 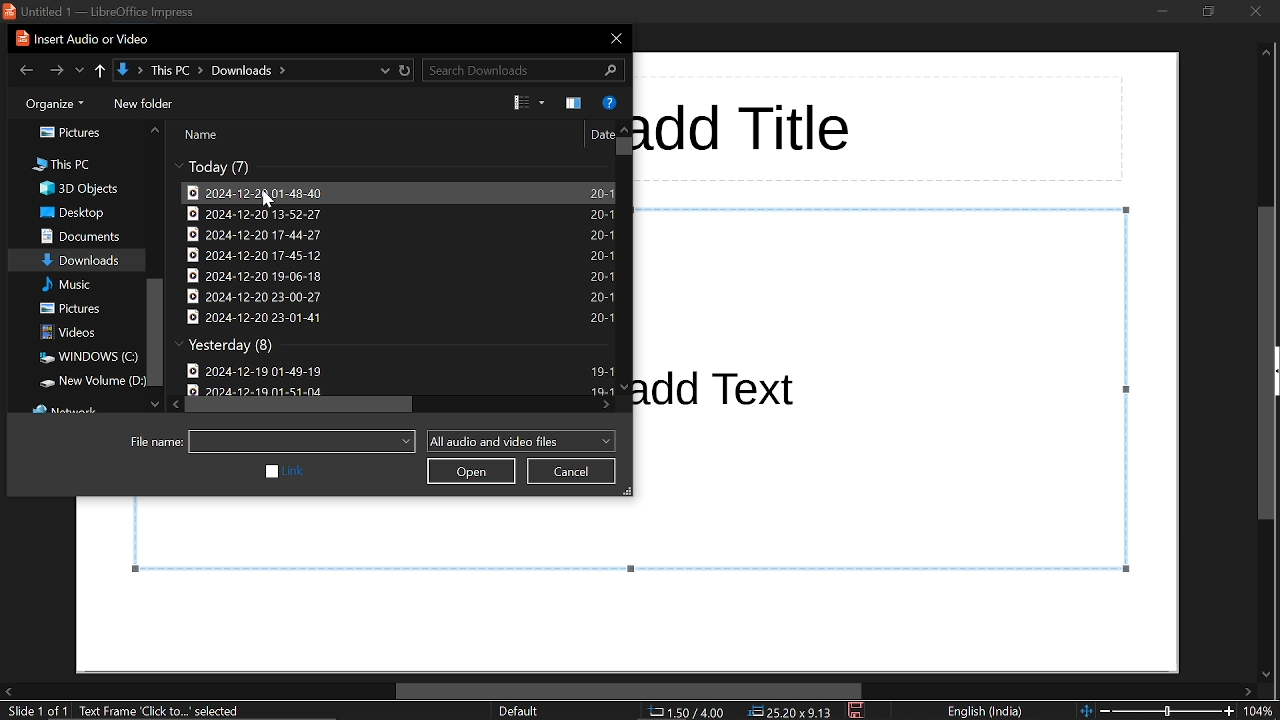 I want to click on files modified yesterday, so click(x=230, y=346).